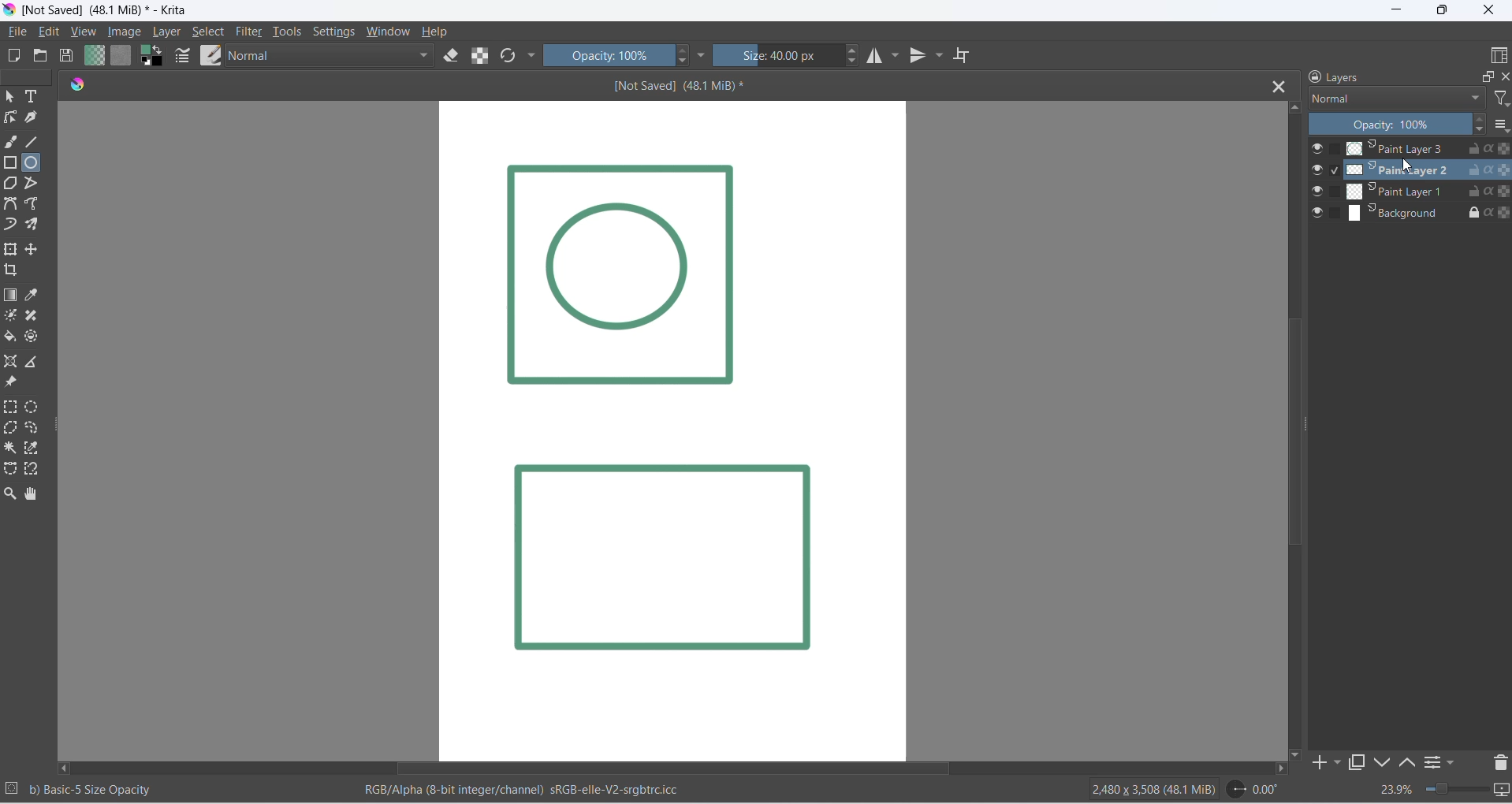 This screenshot has width=1512, height=804. What do you see at coordinates (1484, 75) in the screenshot?
I see `maximize` at bounding box center [1484, 75].